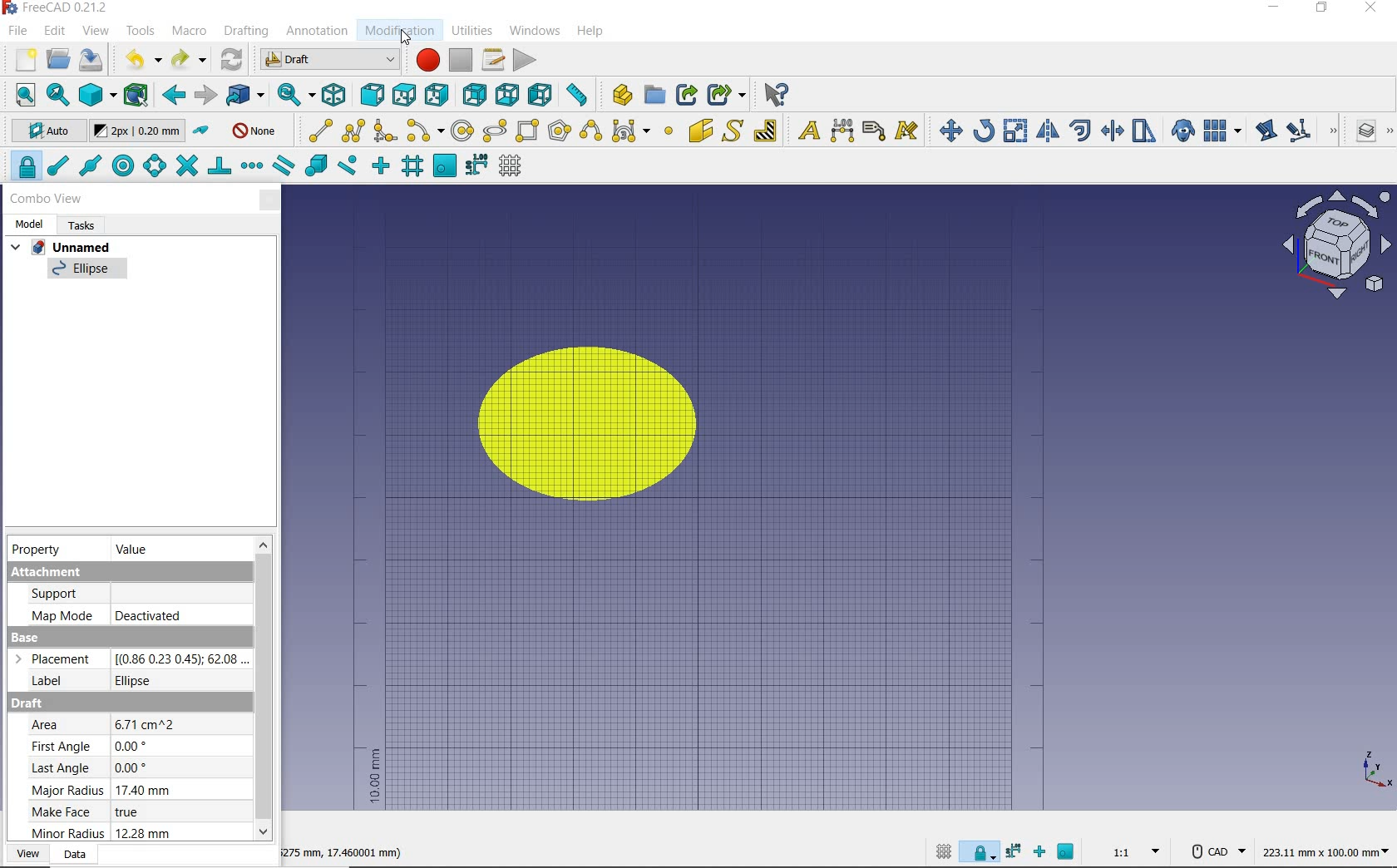 This screenshot has width=1397, height=868. What do you see at coordinates (461, 60) in the screenshot?
I see `stop macro recording` at bounding box center [461, 60].